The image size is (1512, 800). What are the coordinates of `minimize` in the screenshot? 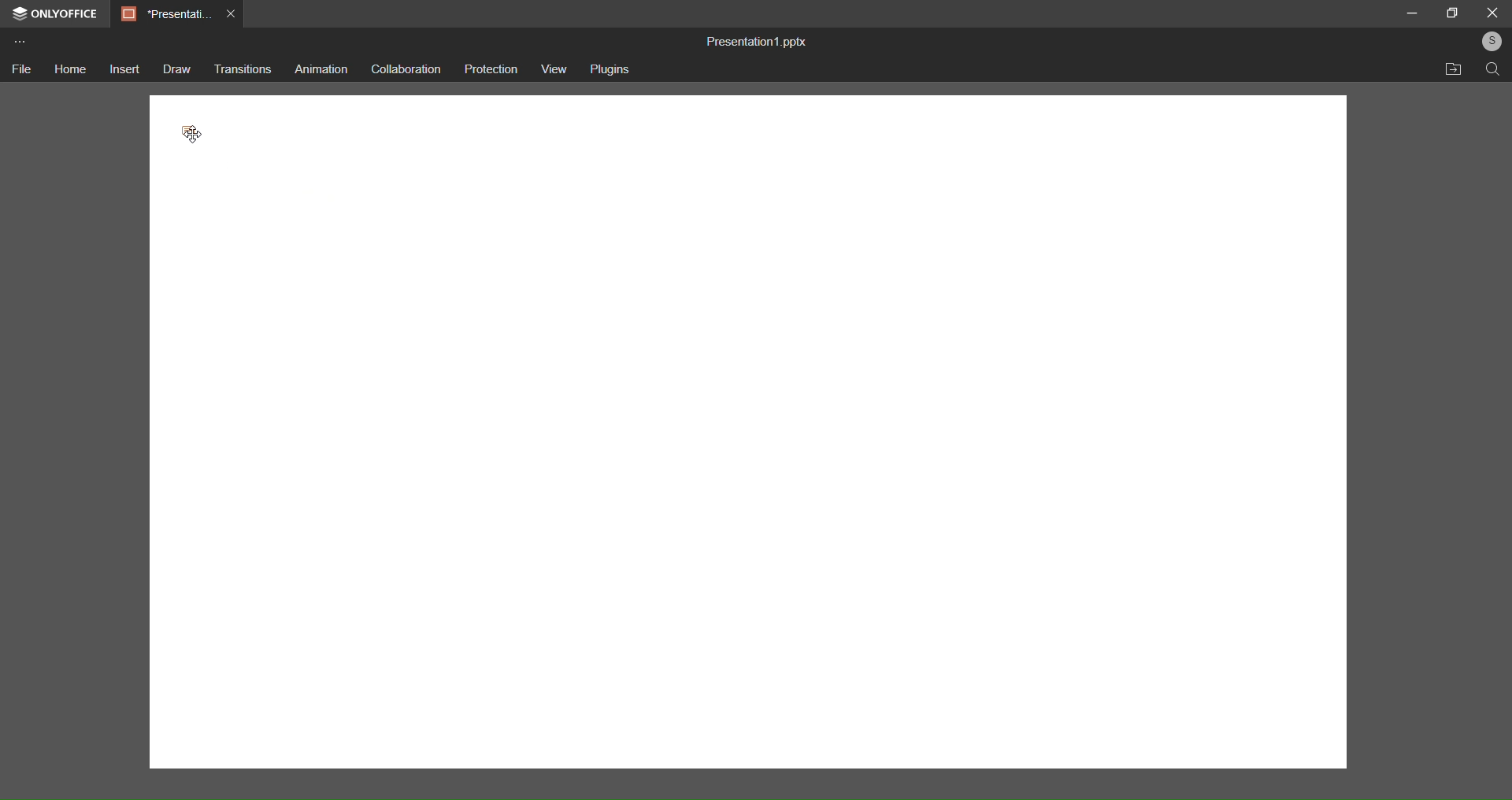 It's located at (1413, 13).